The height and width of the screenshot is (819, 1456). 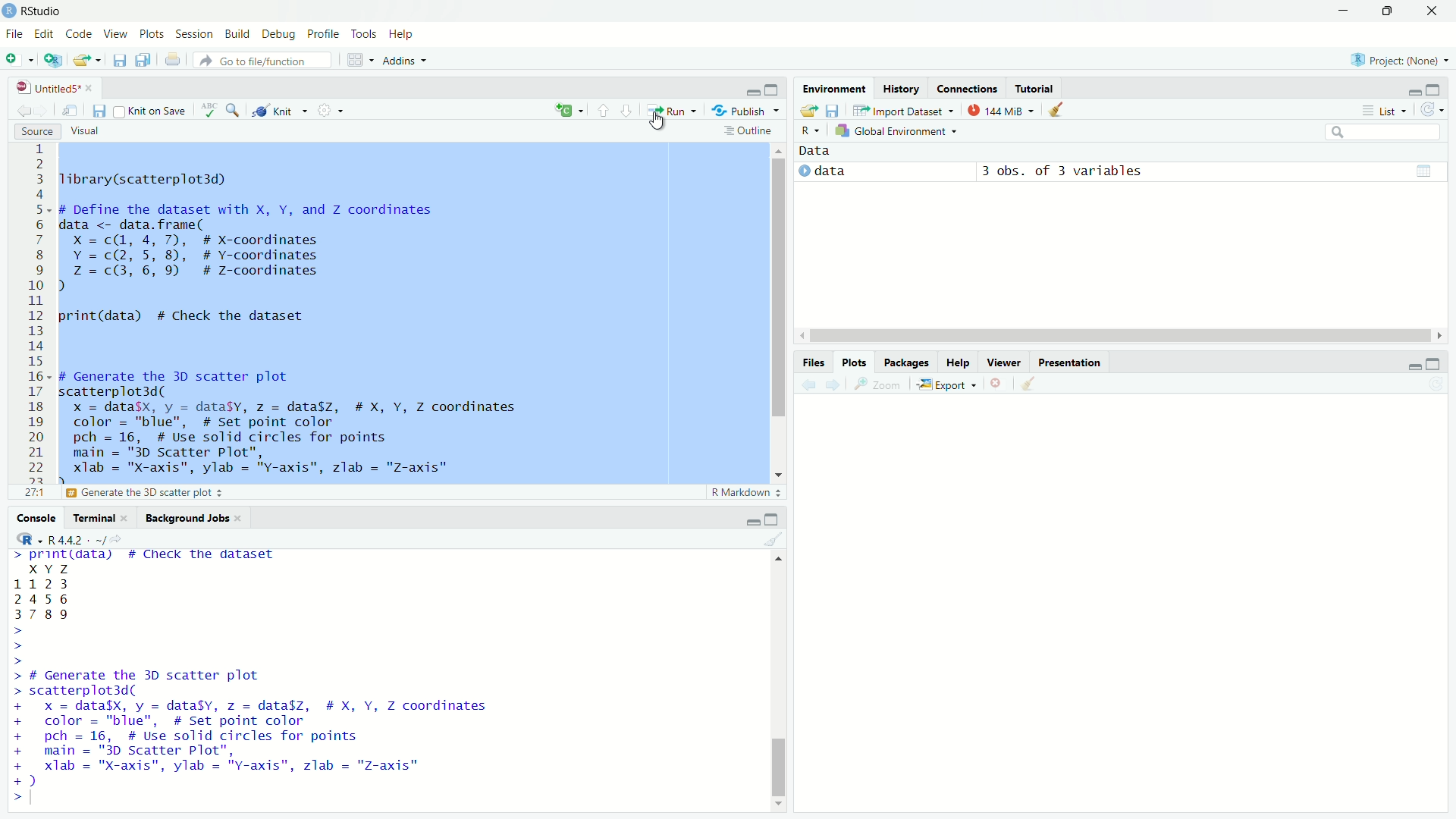 What do you see at coordinates (800, 172) in the screenshot?
I see `play` at bounding box center [800, 172].